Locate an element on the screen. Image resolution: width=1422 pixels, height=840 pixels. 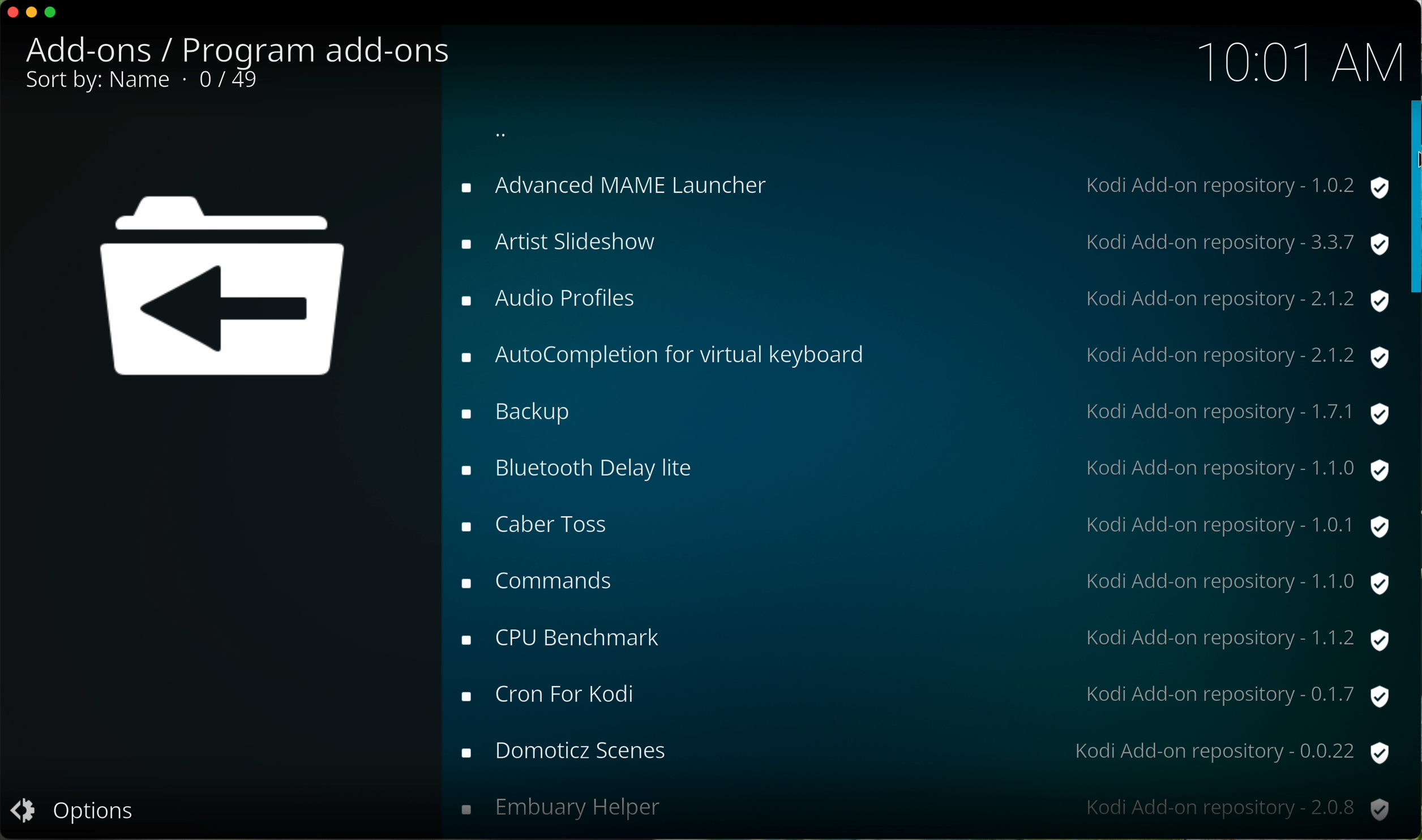
10:01 AM is located at coordinates (1301, 62).